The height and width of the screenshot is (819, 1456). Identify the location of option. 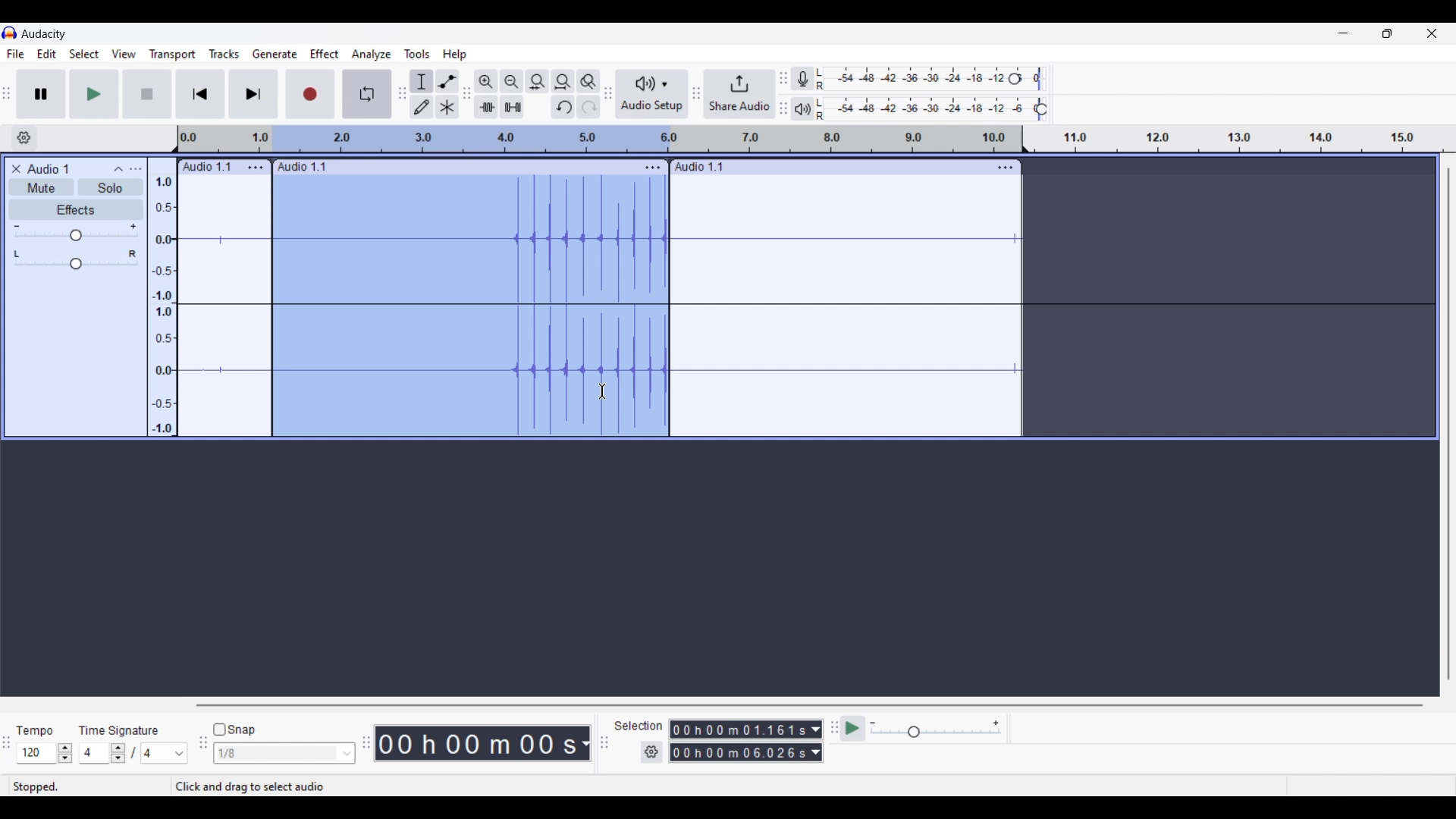
(653, 165).